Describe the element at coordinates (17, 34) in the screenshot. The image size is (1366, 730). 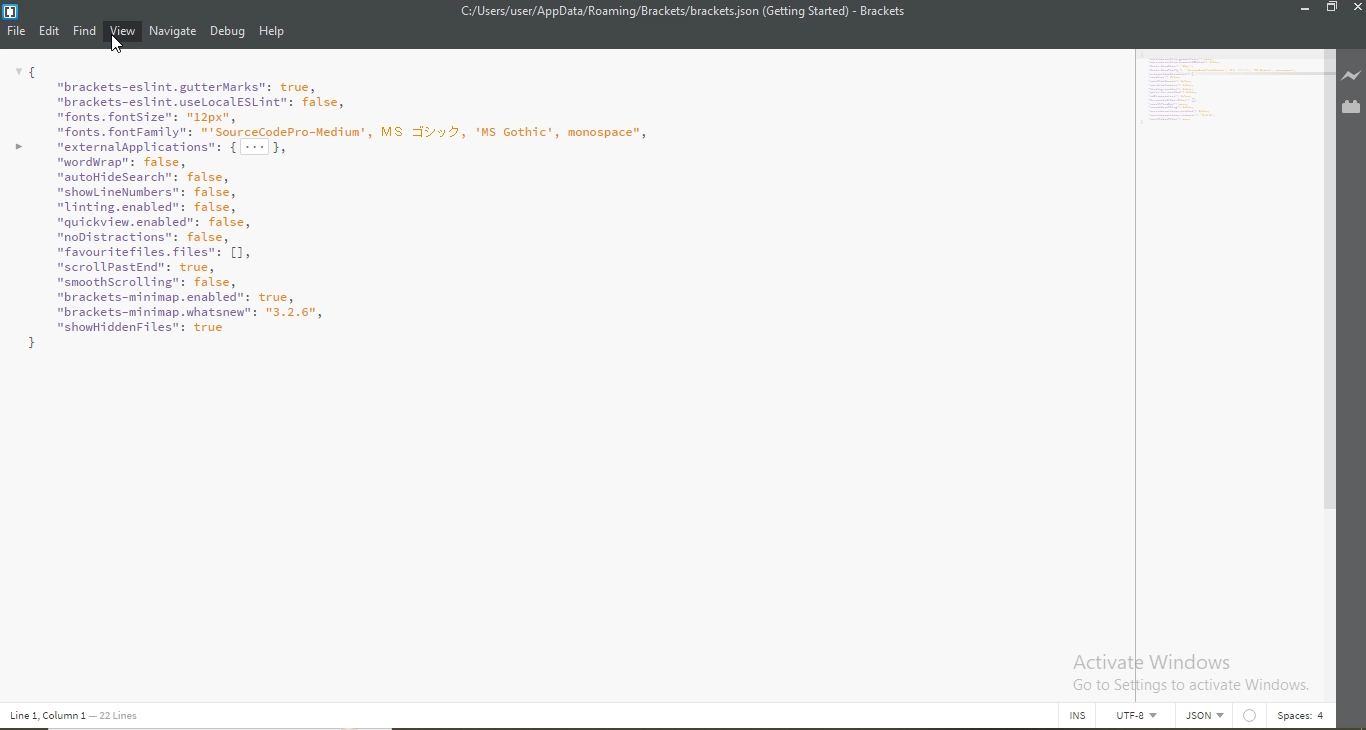
I see `File` at that location.